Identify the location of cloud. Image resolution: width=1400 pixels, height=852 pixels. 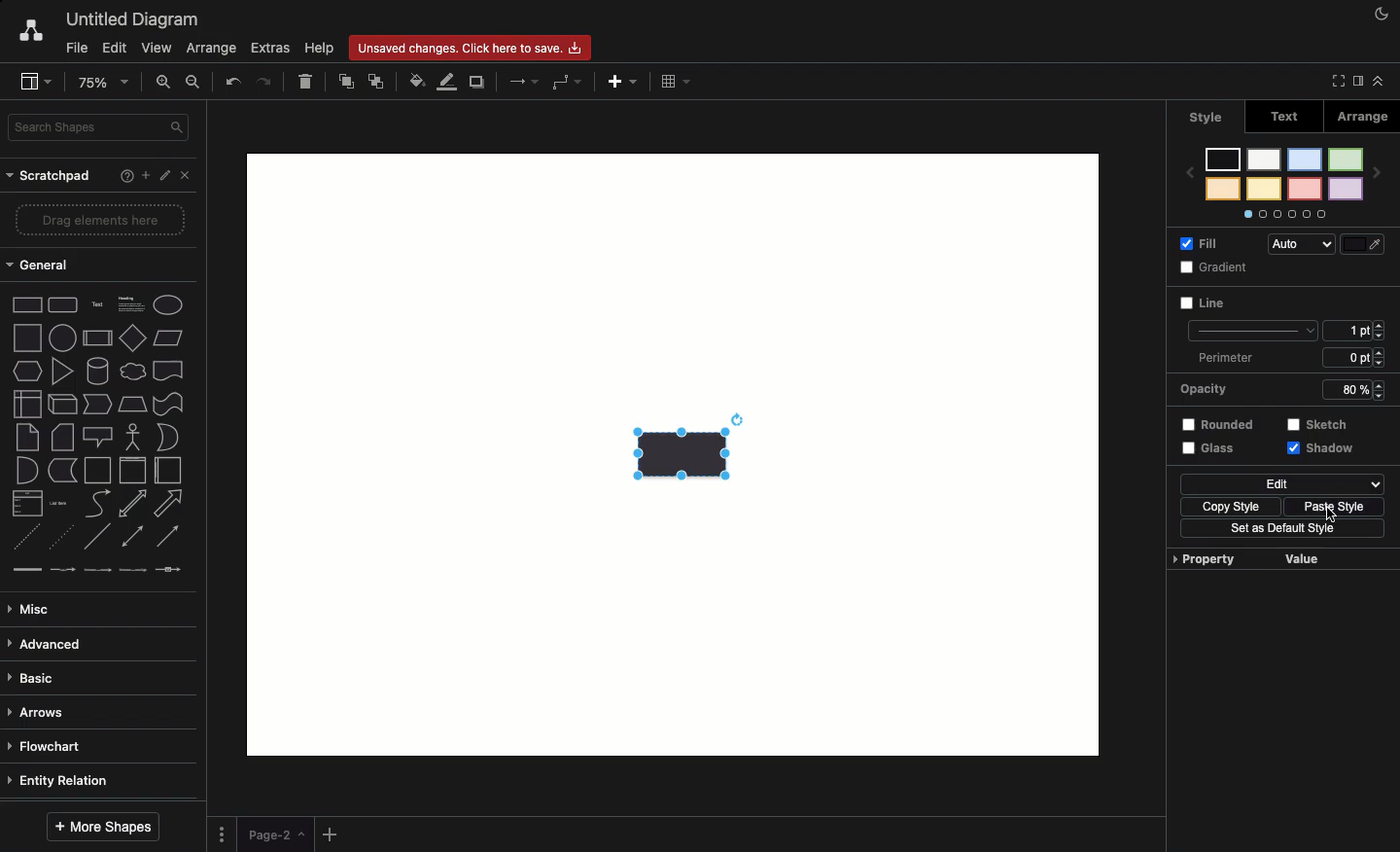
(130, 373).